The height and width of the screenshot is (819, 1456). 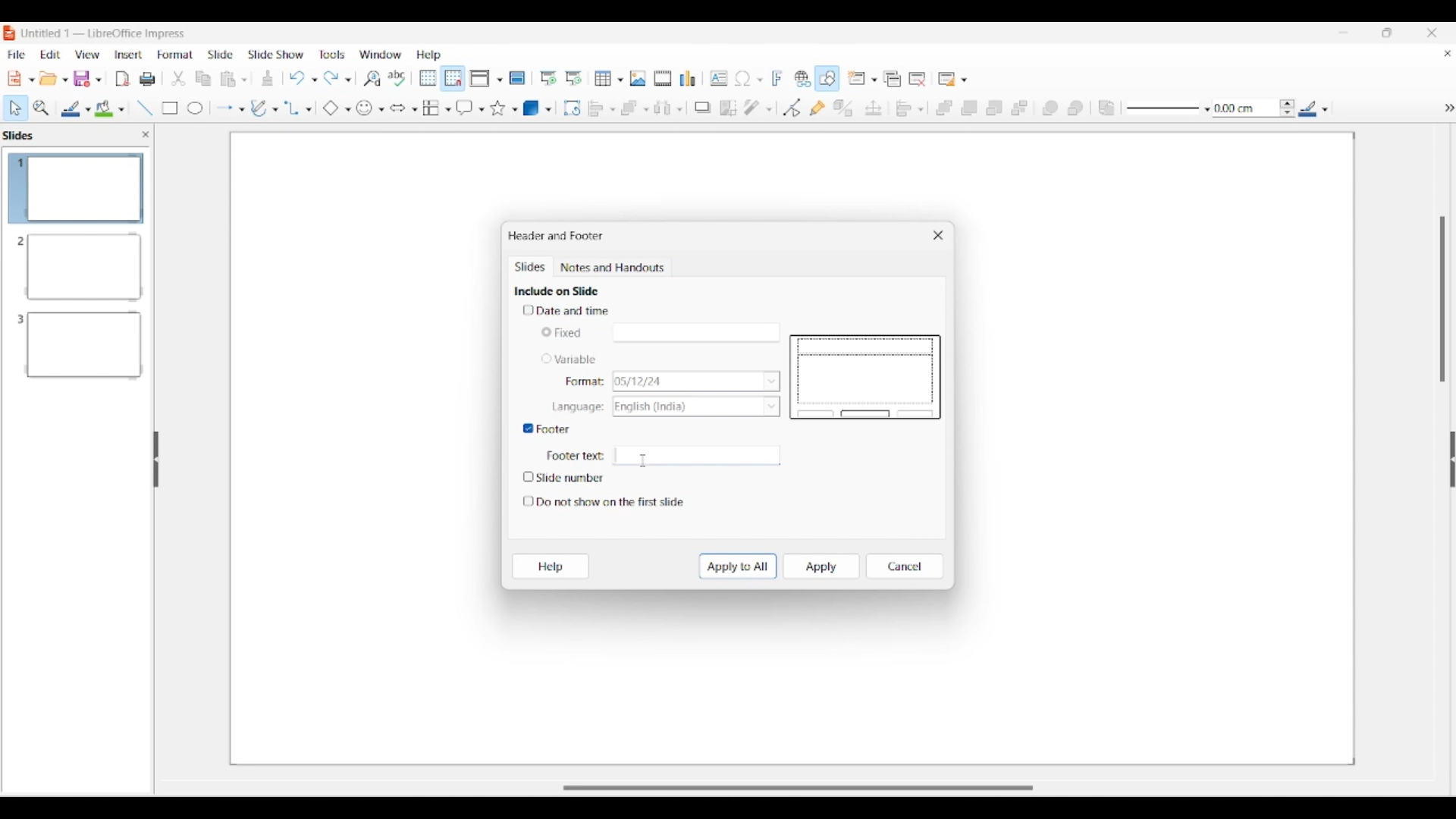 I want to click on Align objects, so click(x=909, y=108).